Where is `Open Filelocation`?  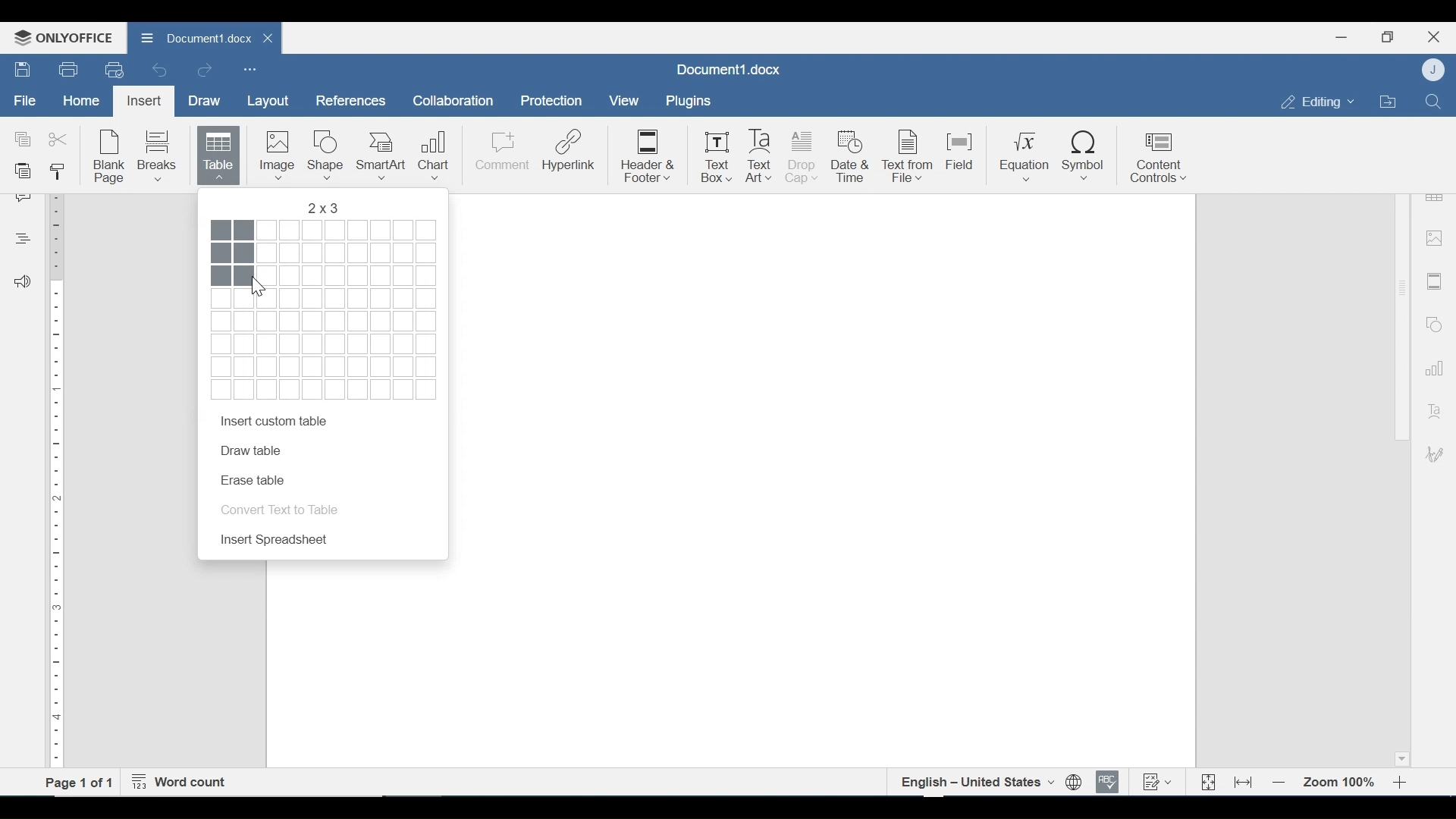 Open Filelocation is located at coordinates (1387, 100).